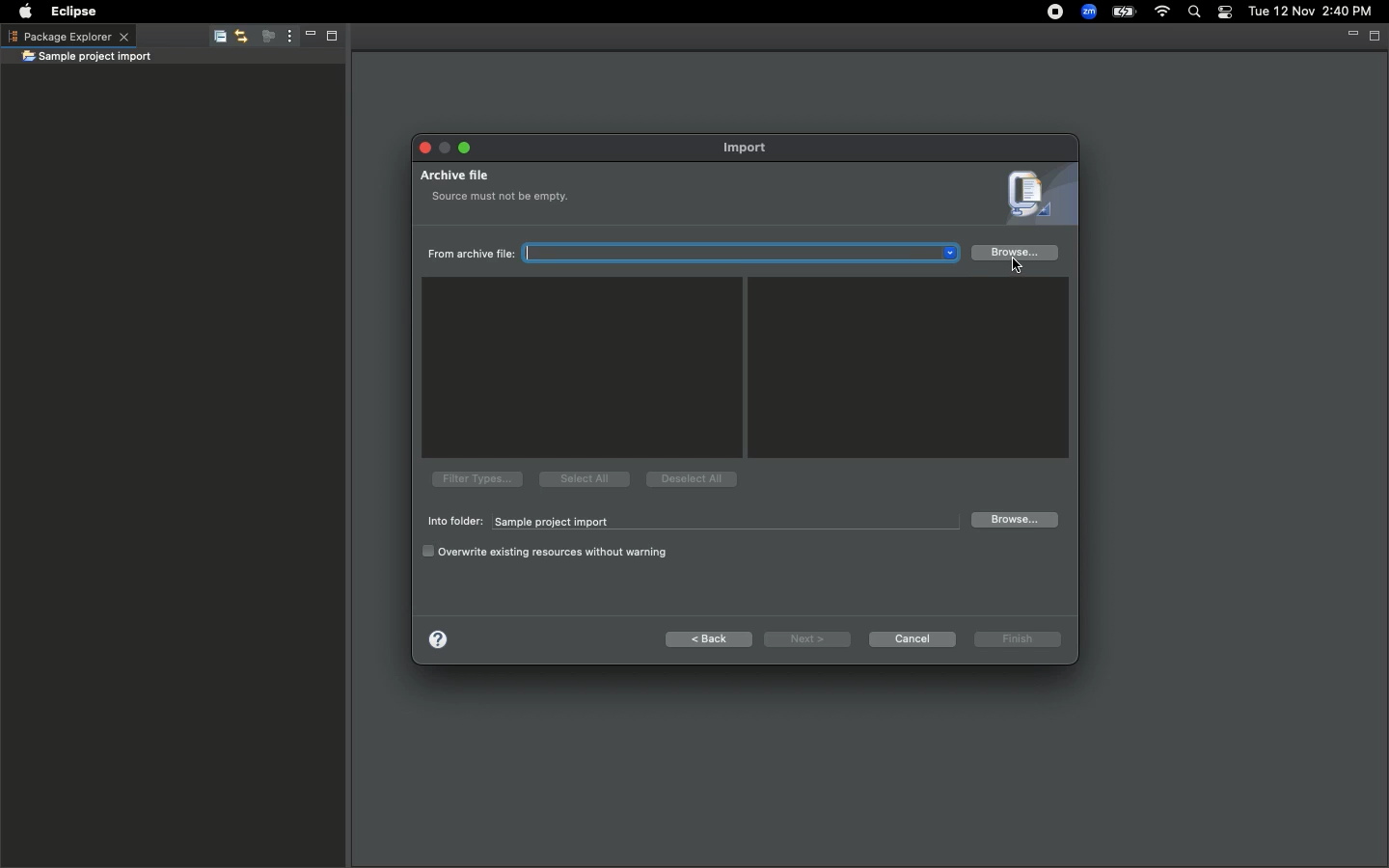 The width and height of the screenshot is (1389, 868). Describe the element at coordinates (305, 38) in the screenshot. I see `Minimize` at that location.